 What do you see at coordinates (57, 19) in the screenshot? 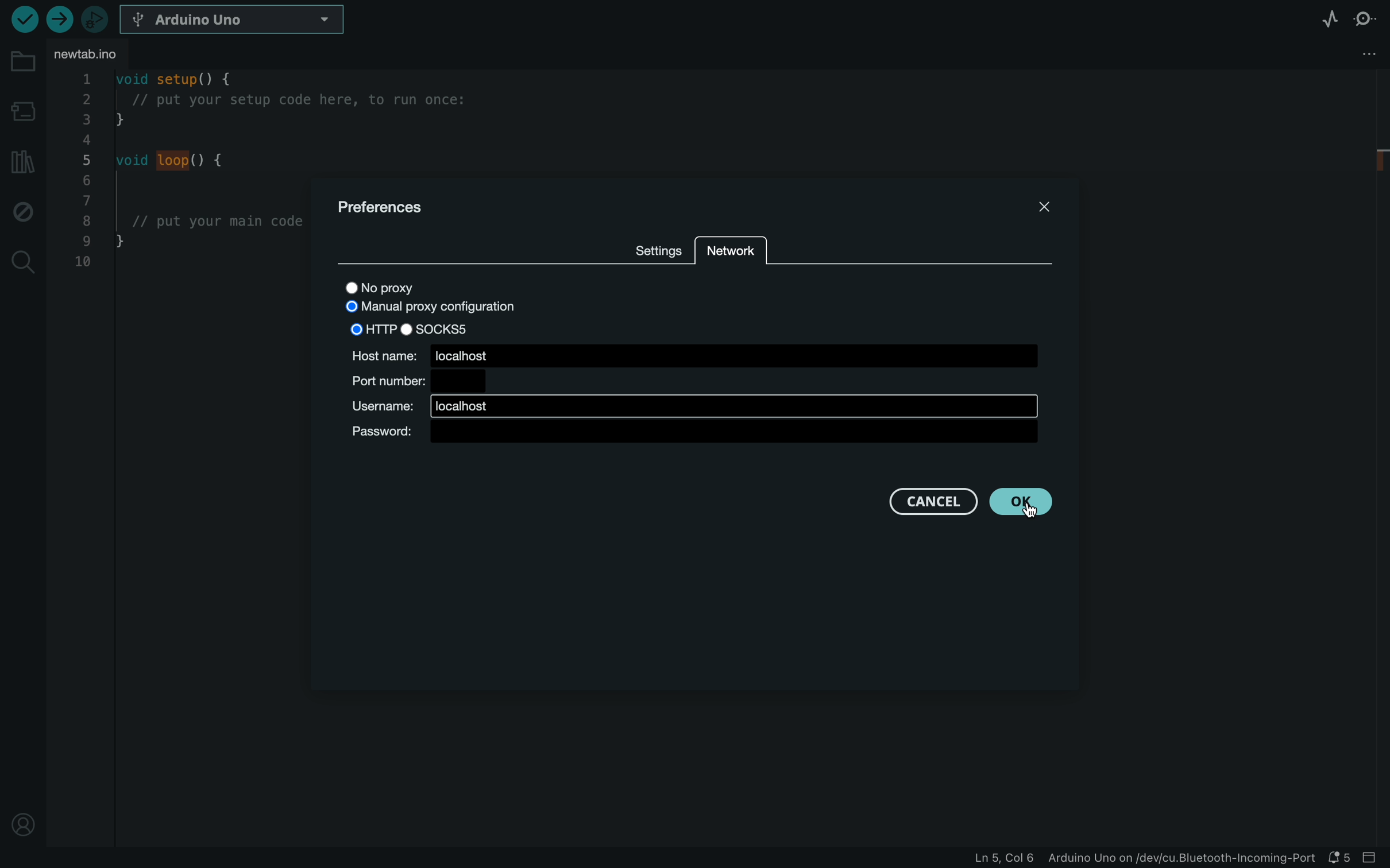
I see `upload` at bounding box center [57, 19].